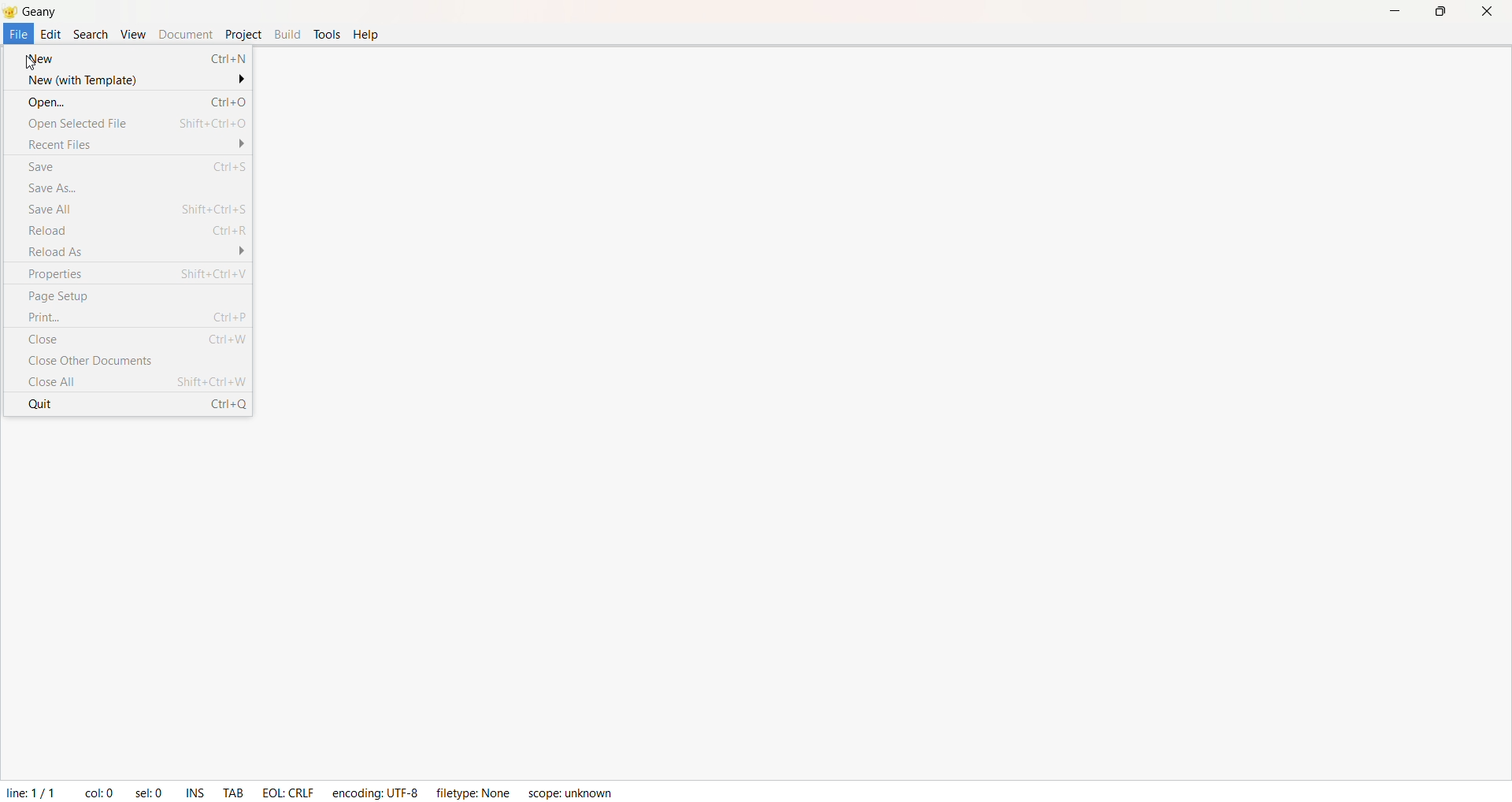 This screenshot has width=1512, height=802. What do you see at coordinates (150, 786) in the screenshot?
I see `sel: 0` at bounding box center [150, 786].